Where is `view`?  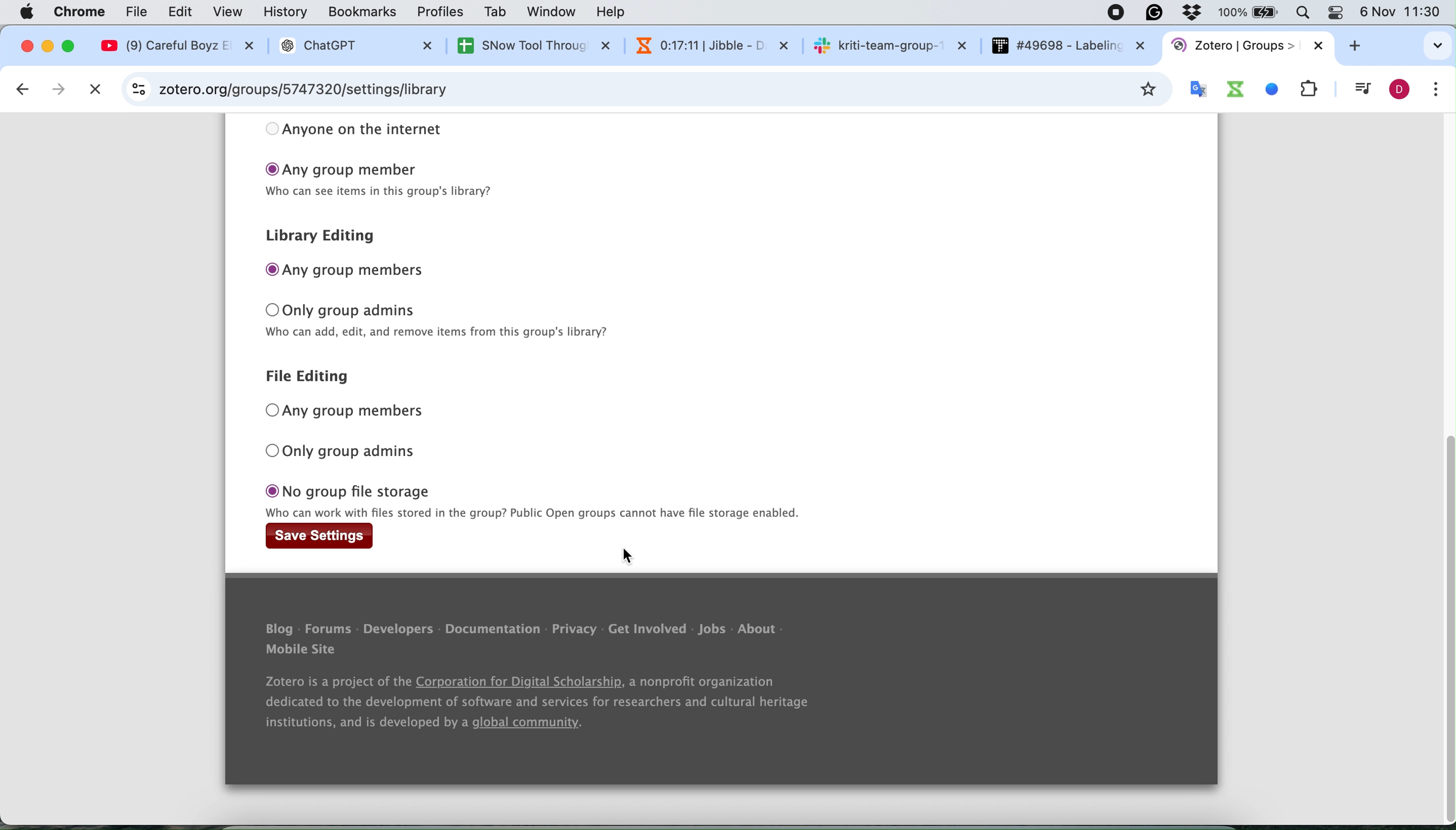 view is located at coordinates (230, 11).